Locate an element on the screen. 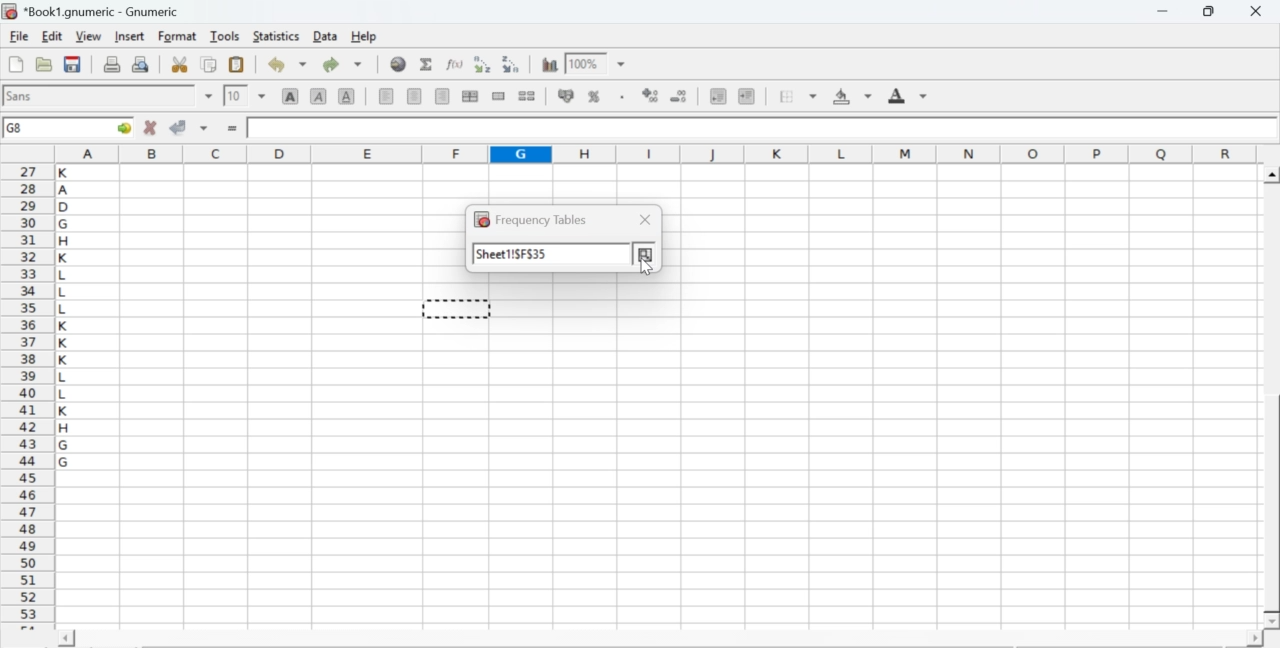  merge a range of cells is located at coordinates (499, 96).